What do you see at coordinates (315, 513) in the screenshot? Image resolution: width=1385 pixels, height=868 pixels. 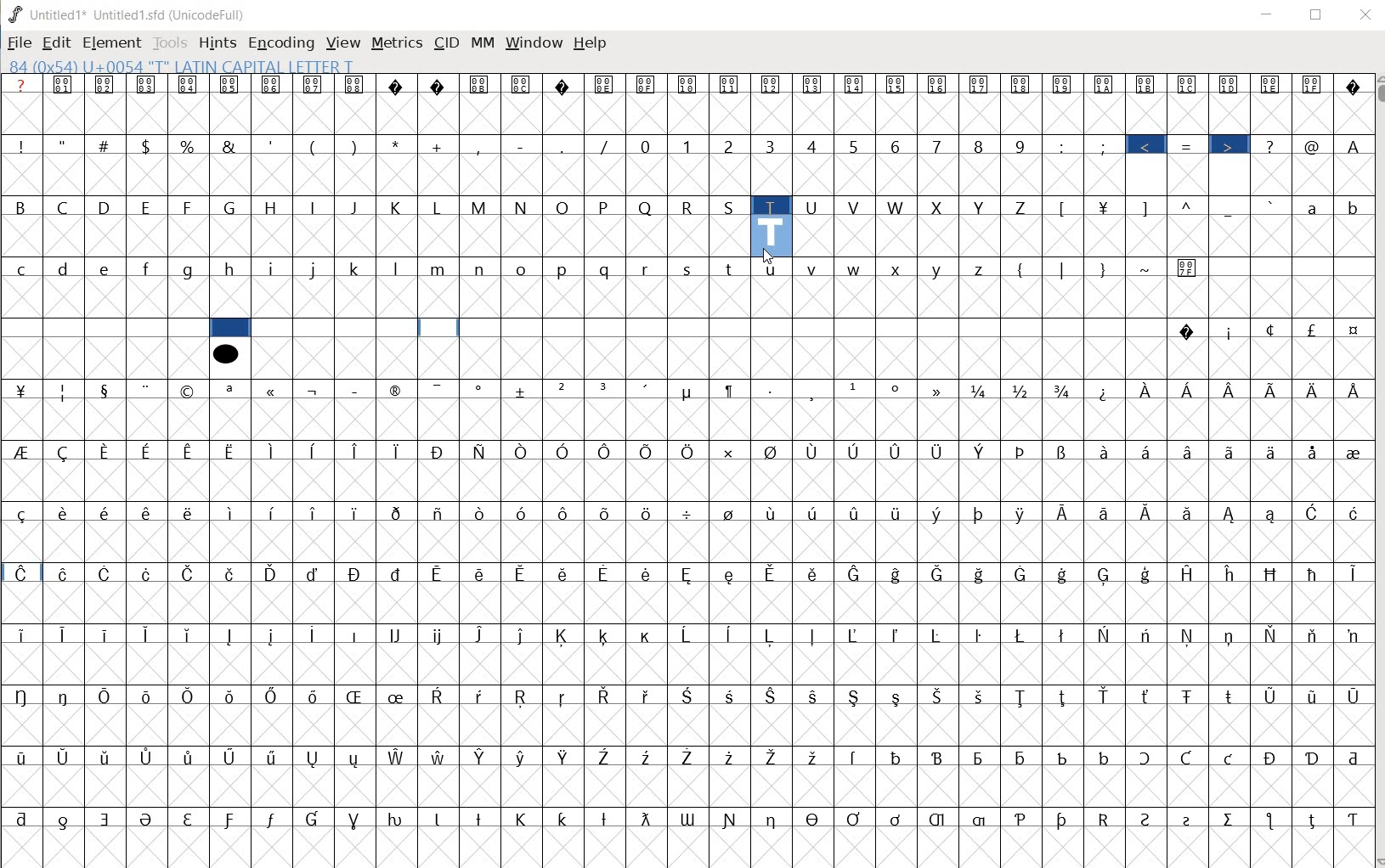 I see `Symbol` at bounding box center [315, 513].